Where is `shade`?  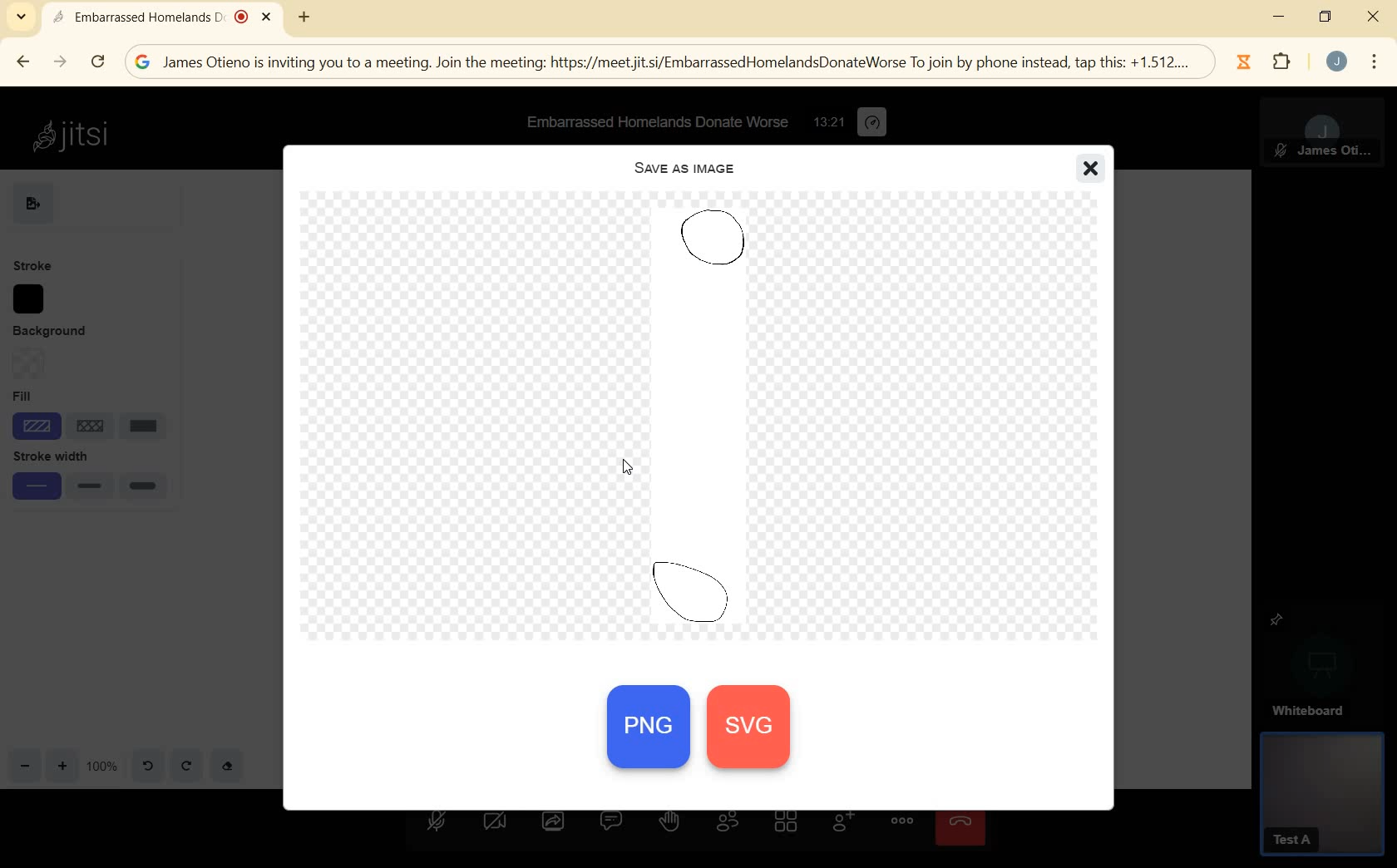 shade is located at coordinates (32, 426).